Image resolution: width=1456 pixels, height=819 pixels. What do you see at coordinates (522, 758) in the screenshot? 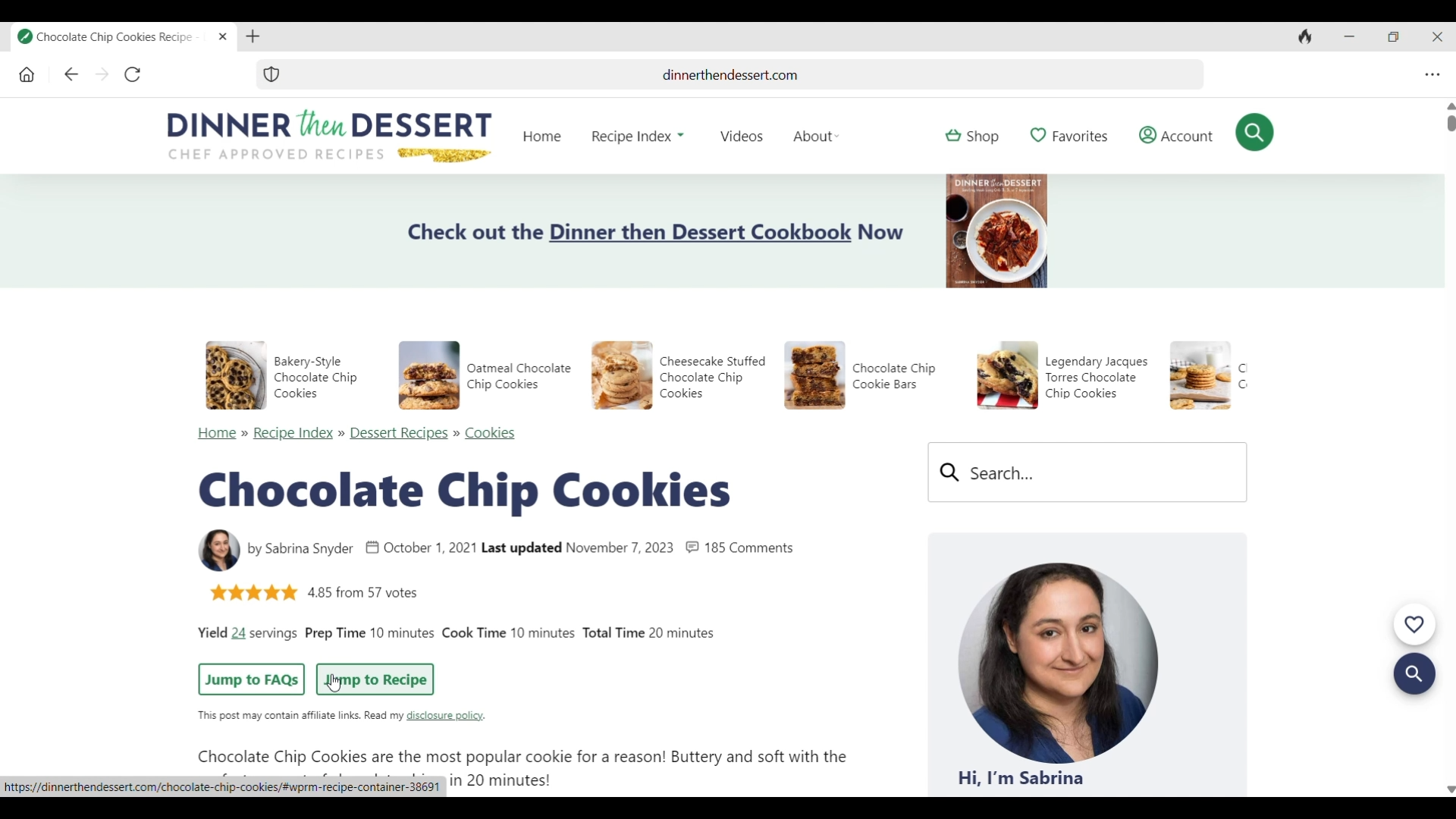
I see `Chocolate Chip Cookies are the most popular cookie for a reason! Buttery and soft with the` at bounding box center [522, 758].